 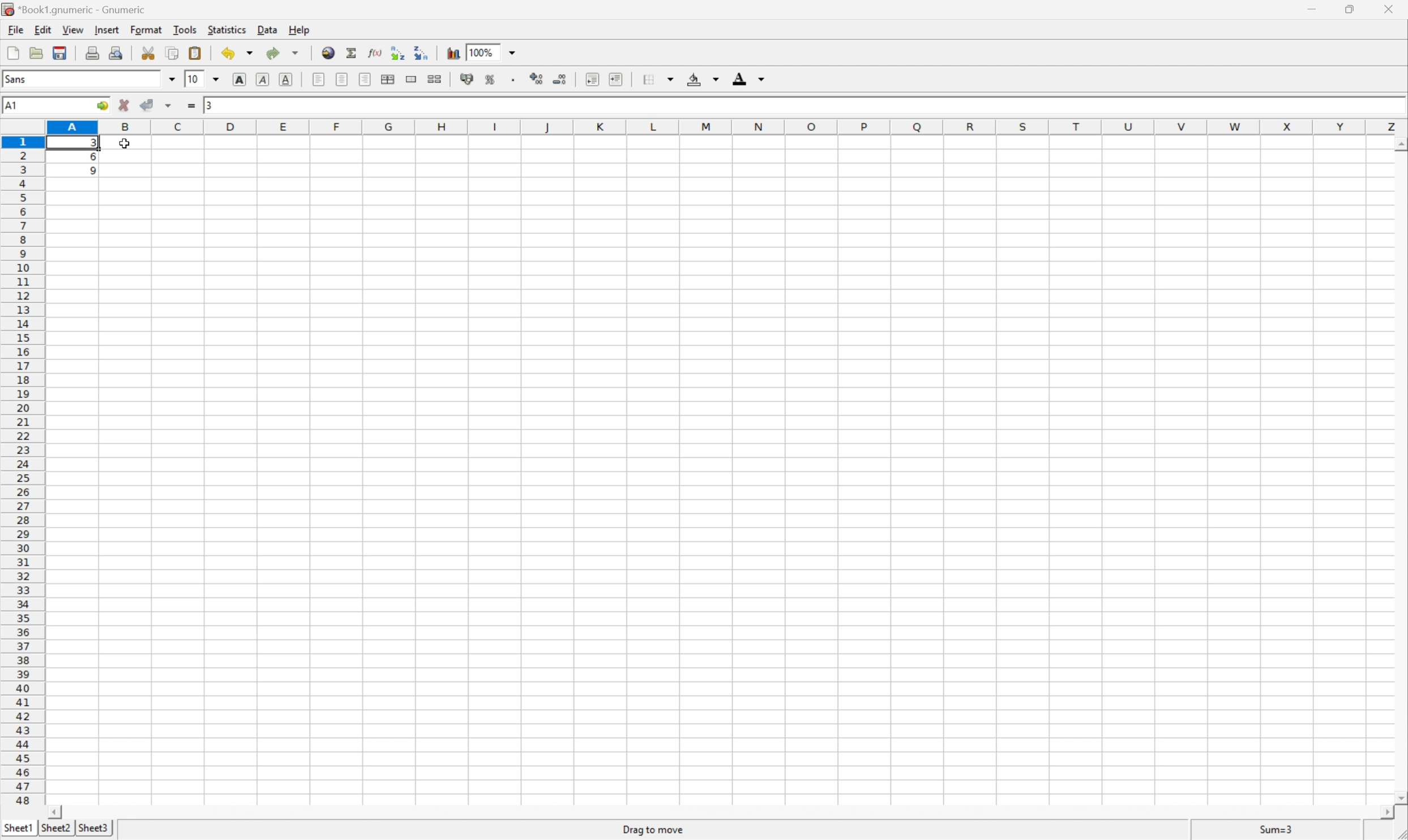 What do you see at coordinates (217, 80) in the screenshot?
I see `Drop Down` at bounding box center [217, 80].